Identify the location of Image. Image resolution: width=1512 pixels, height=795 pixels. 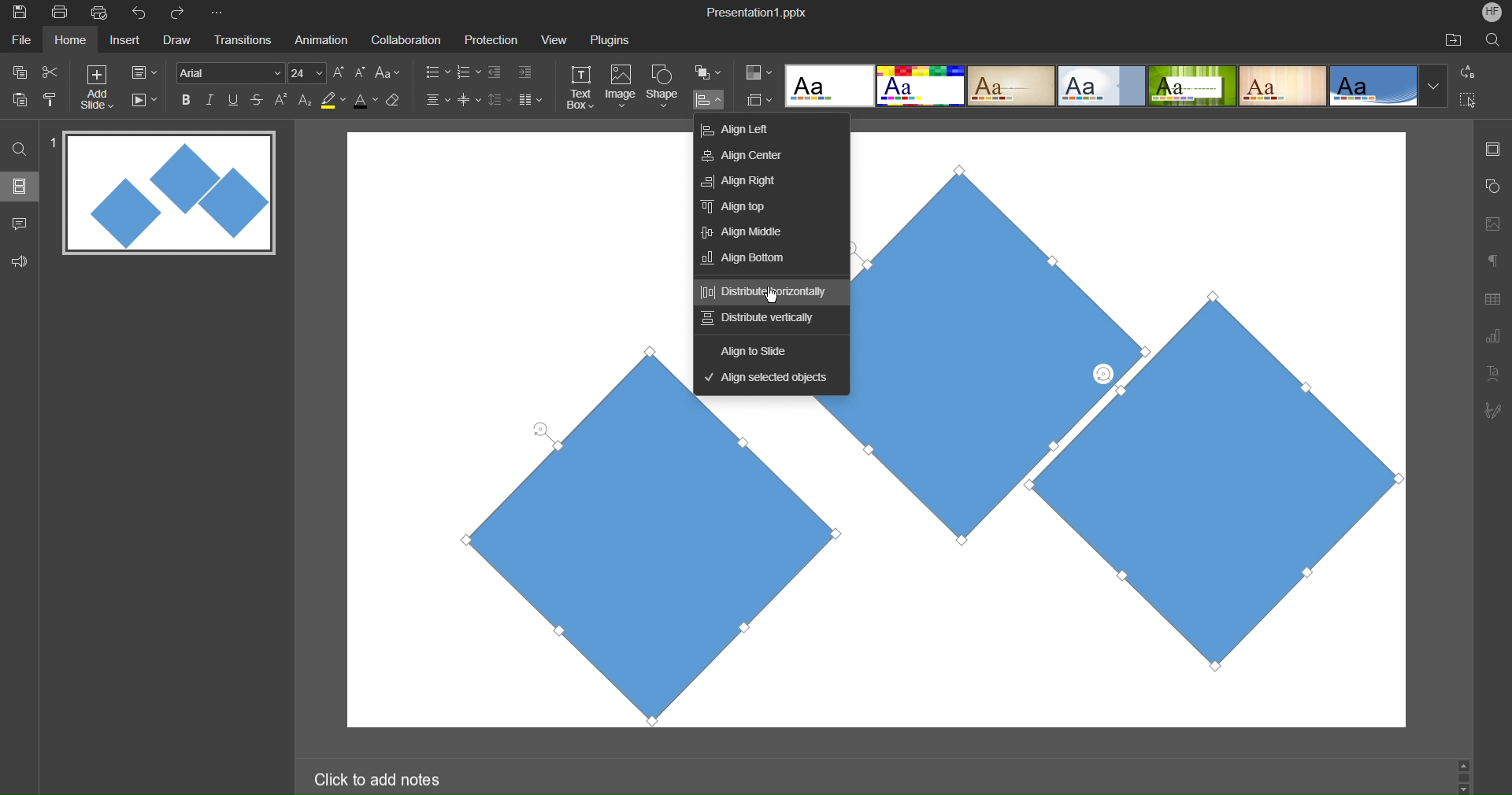
(621, 88).